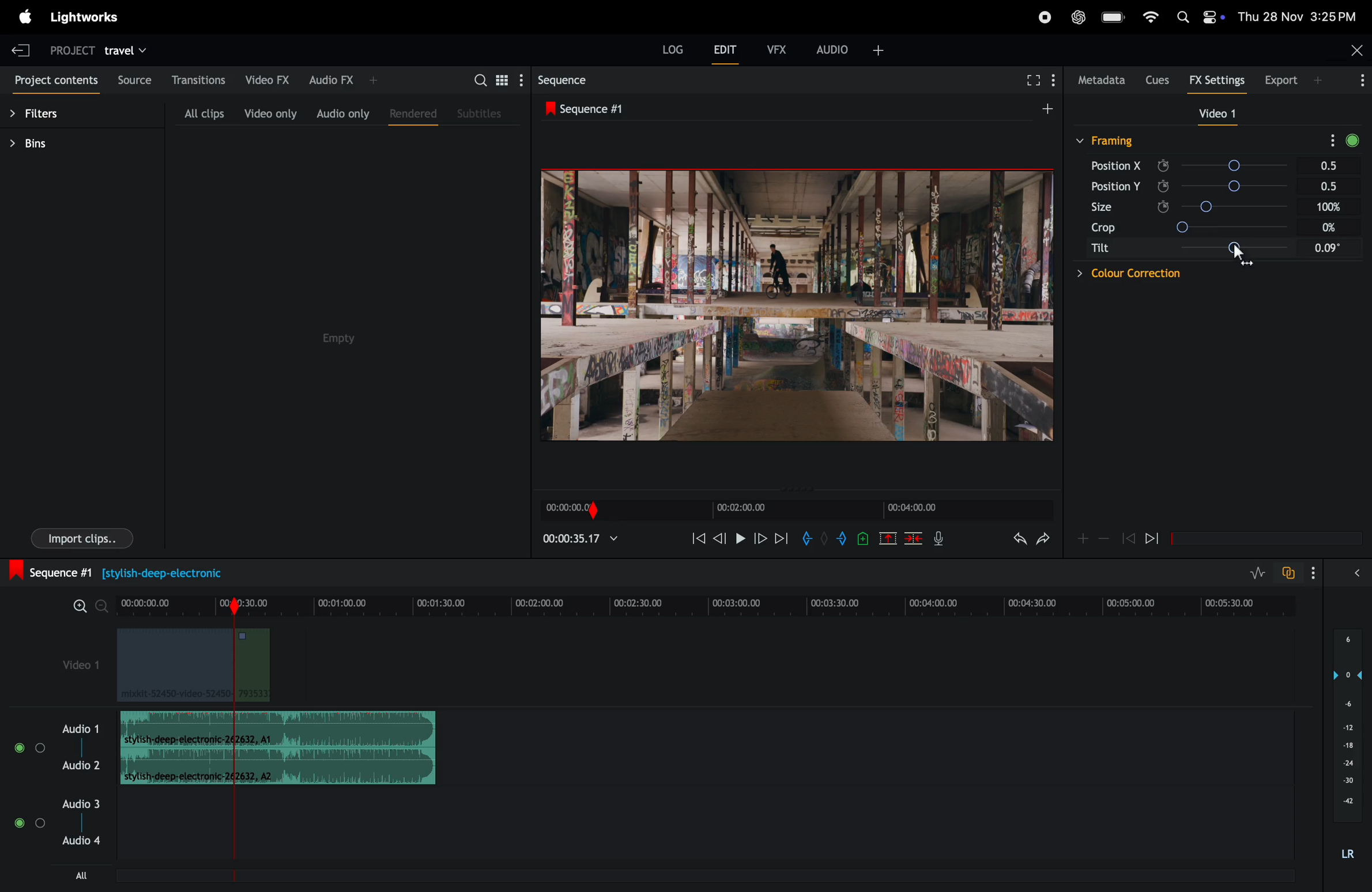  What do you see at coordinates (46, 110) in the screenshot?
I see `filters` at bounding box center [46, 110].